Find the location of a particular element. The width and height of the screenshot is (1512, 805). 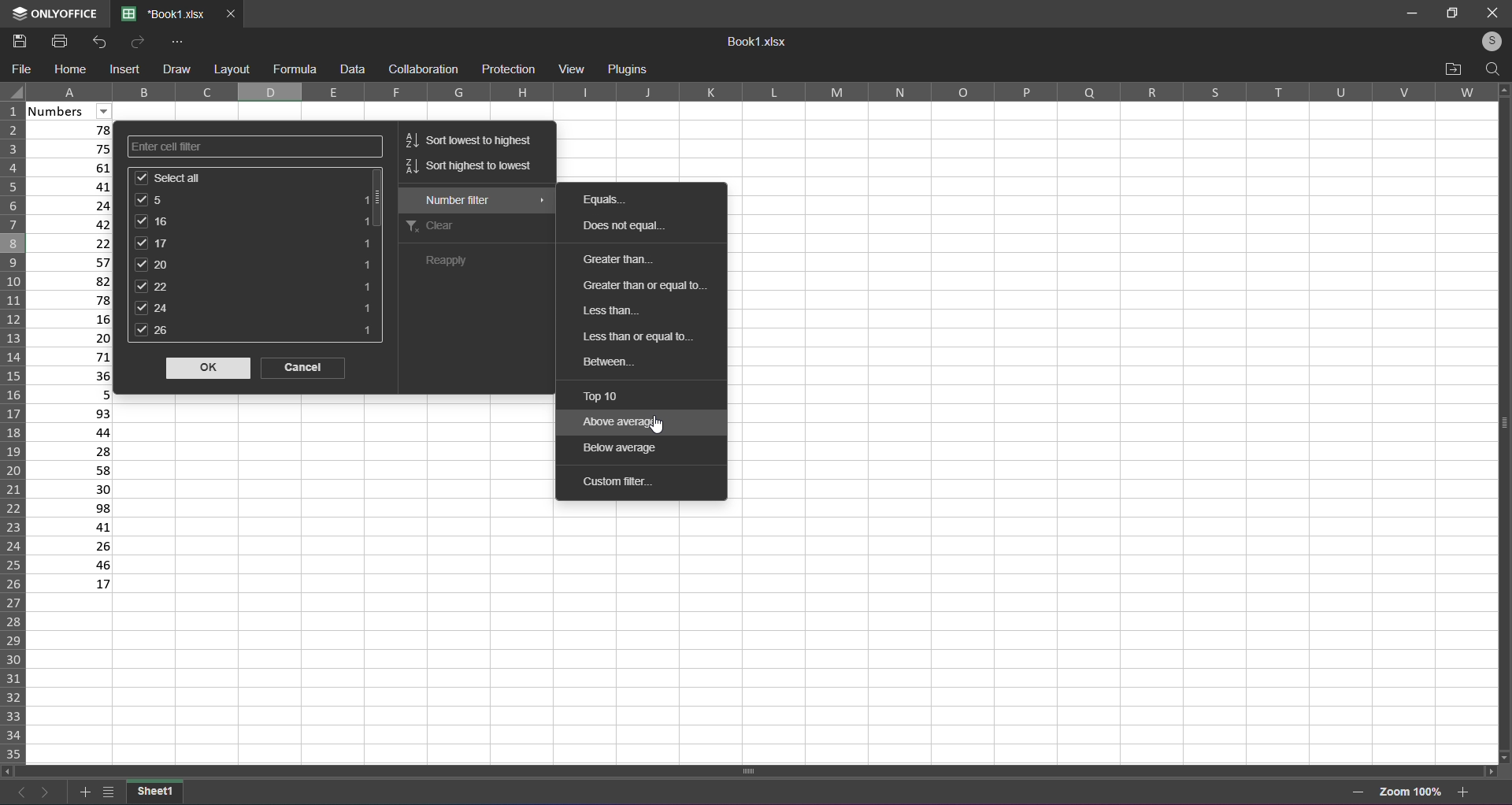

*Book1.xlsx is located at coordinates (164, 15).